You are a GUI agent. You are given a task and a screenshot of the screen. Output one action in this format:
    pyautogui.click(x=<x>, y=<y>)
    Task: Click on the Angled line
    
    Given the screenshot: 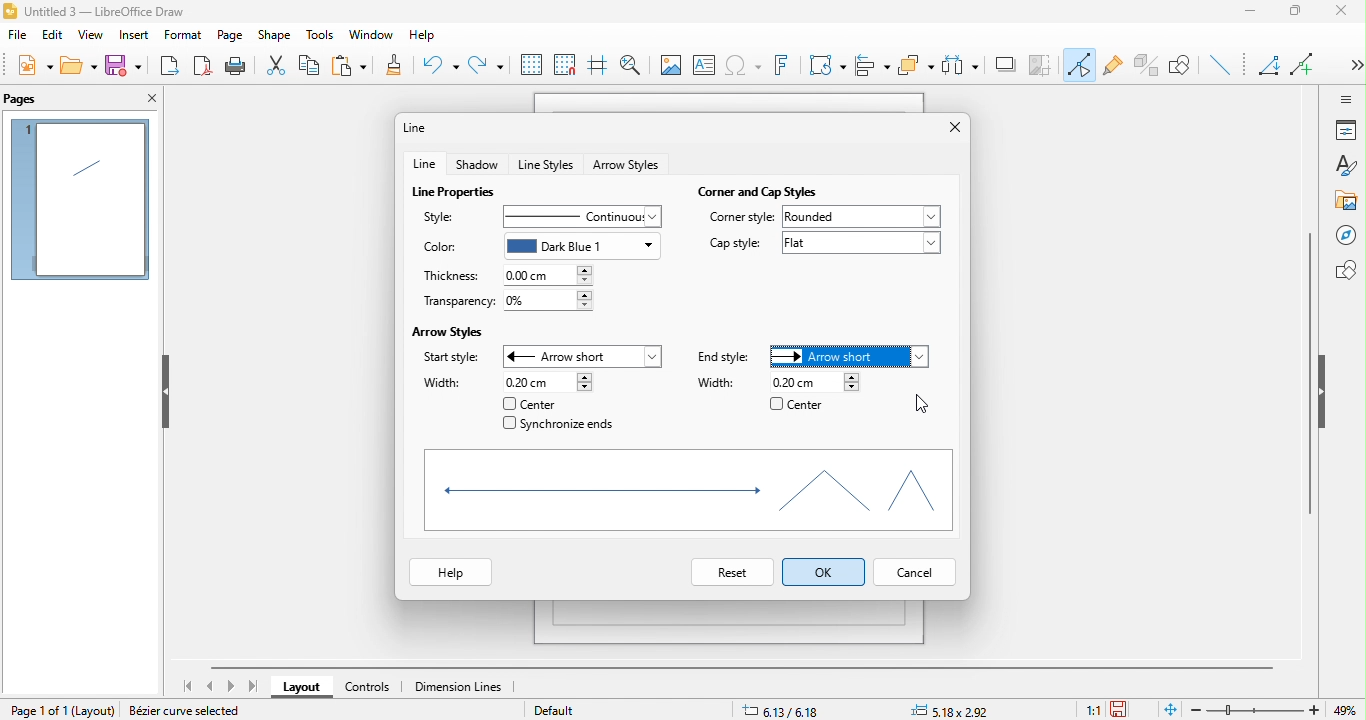 What is the action you would take?
    pyautogui.click(x=1272, y=68)
    